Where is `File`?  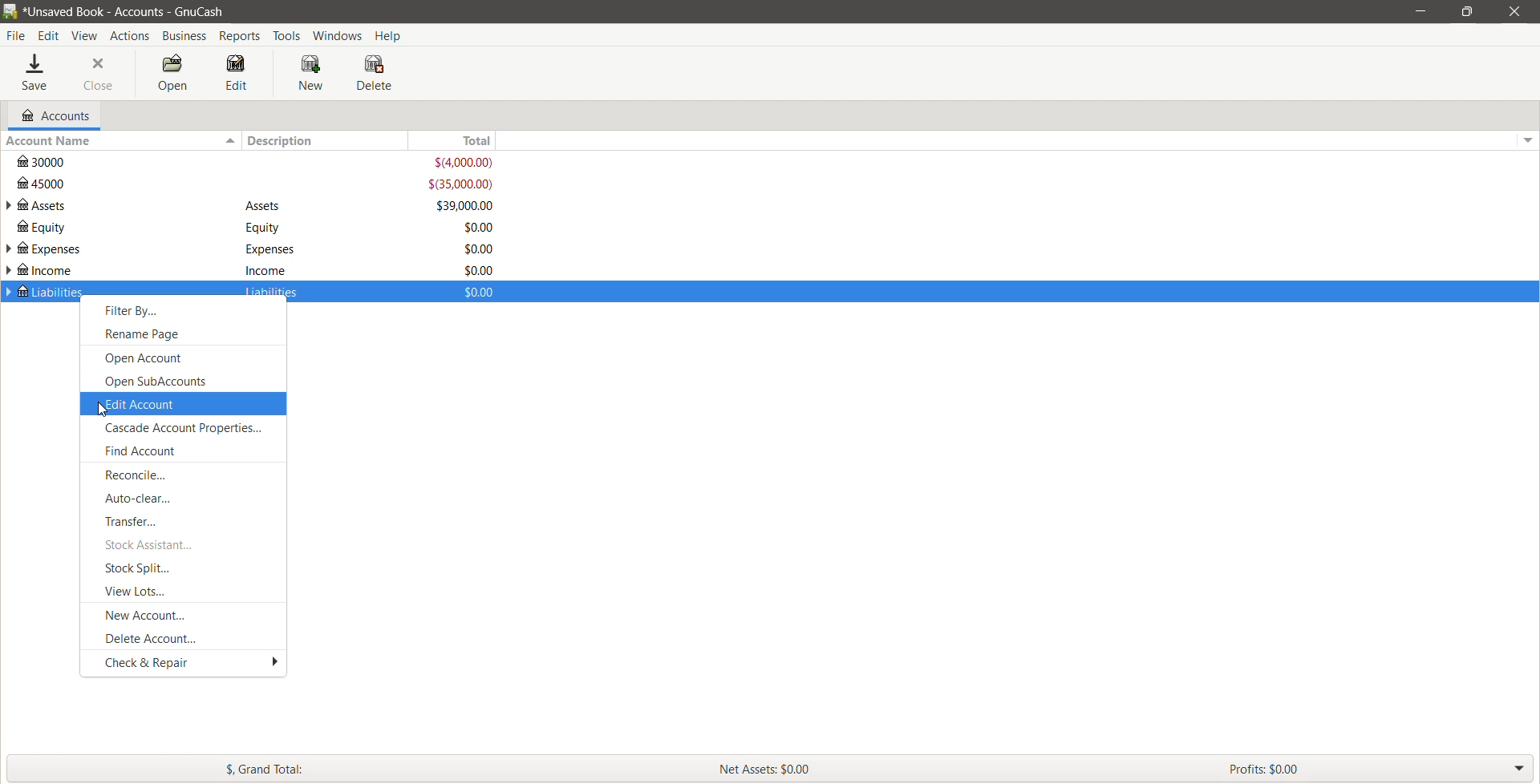
File is located at coordinates (16, 36).